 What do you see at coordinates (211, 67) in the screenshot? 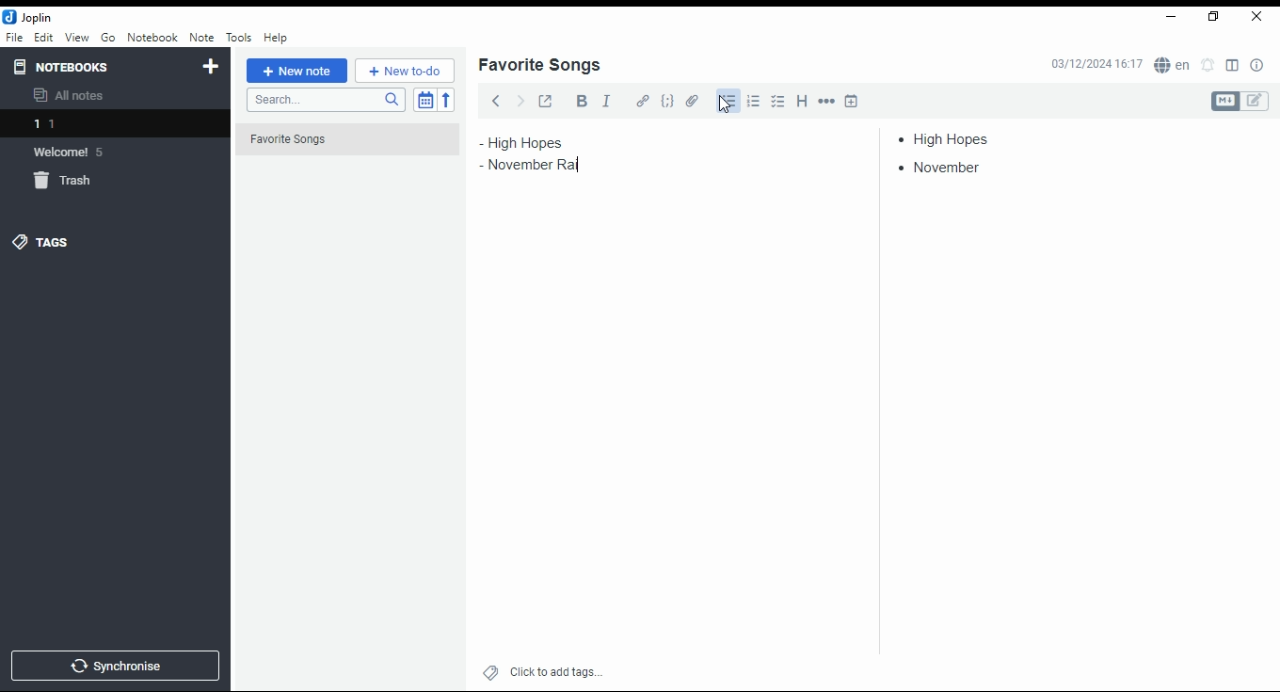
I see `new notebook` at bounding box center [211, 67].